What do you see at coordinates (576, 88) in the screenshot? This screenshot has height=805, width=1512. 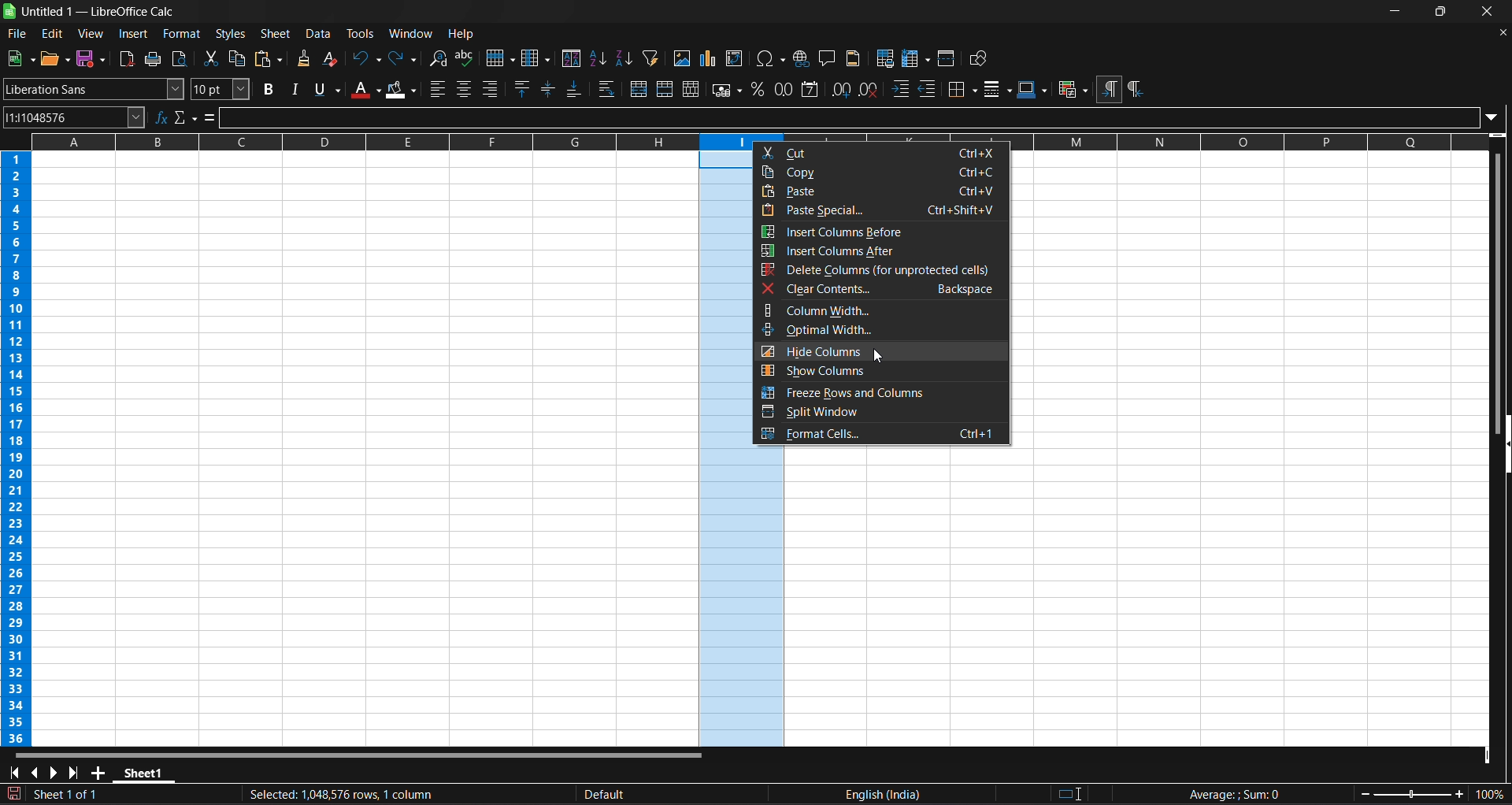 I see `align bottom` at bounding box center [576, 88].